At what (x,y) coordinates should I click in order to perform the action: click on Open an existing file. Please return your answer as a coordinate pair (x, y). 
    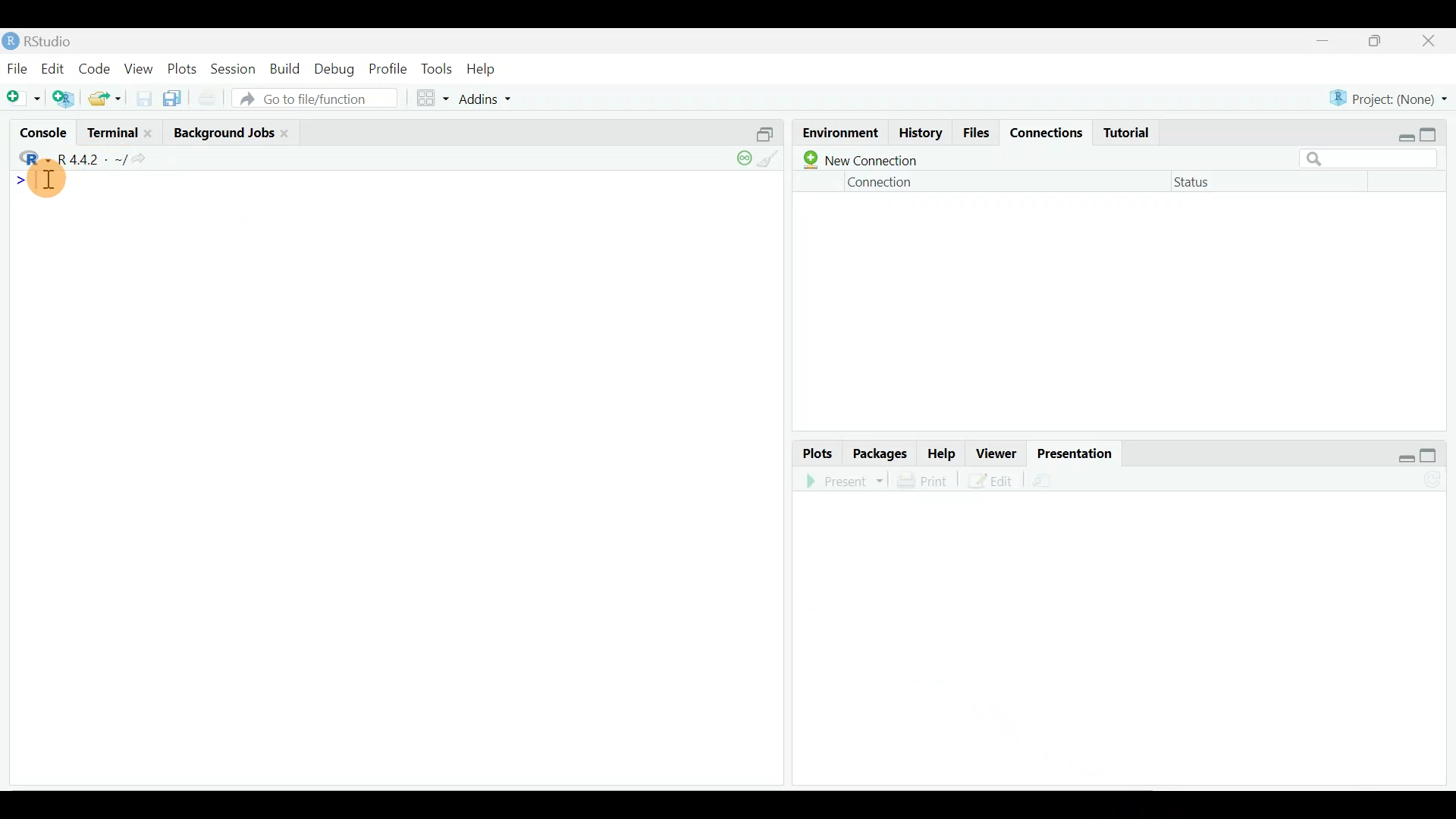
    Looking at the image, I should click on (106, 100).